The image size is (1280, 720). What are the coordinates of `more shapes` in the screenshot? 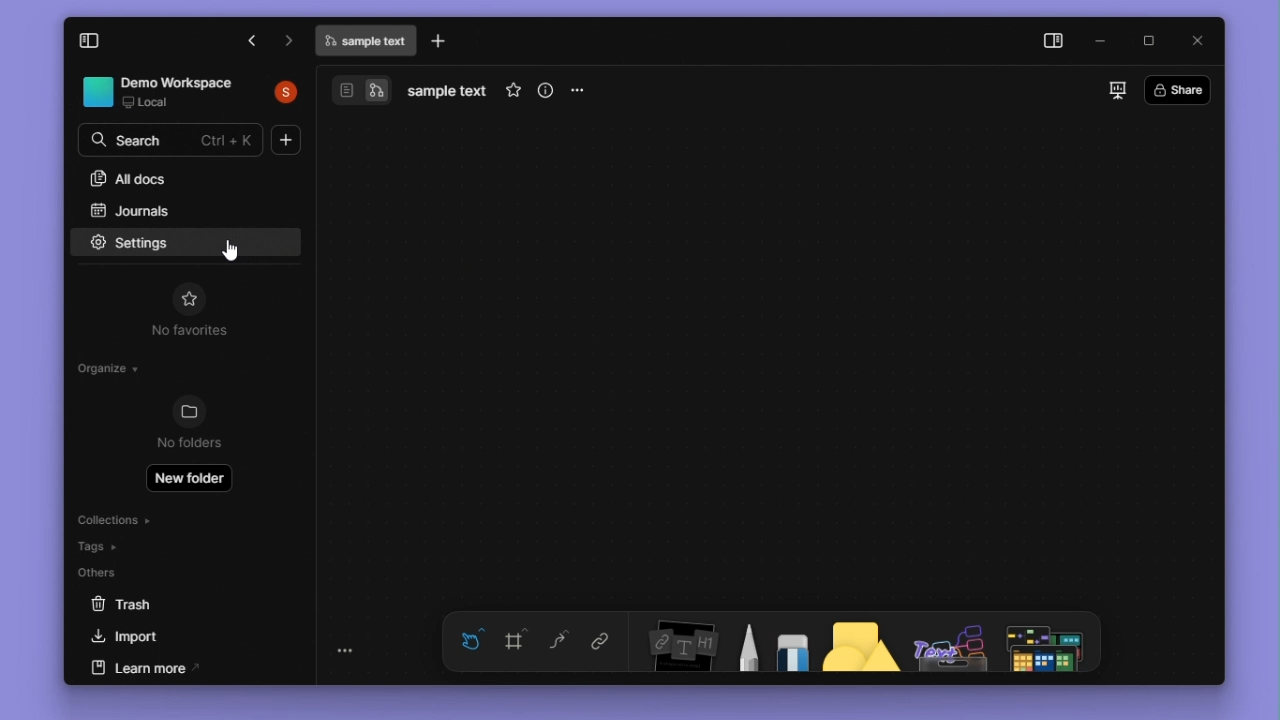 It's located at (1050, 643).